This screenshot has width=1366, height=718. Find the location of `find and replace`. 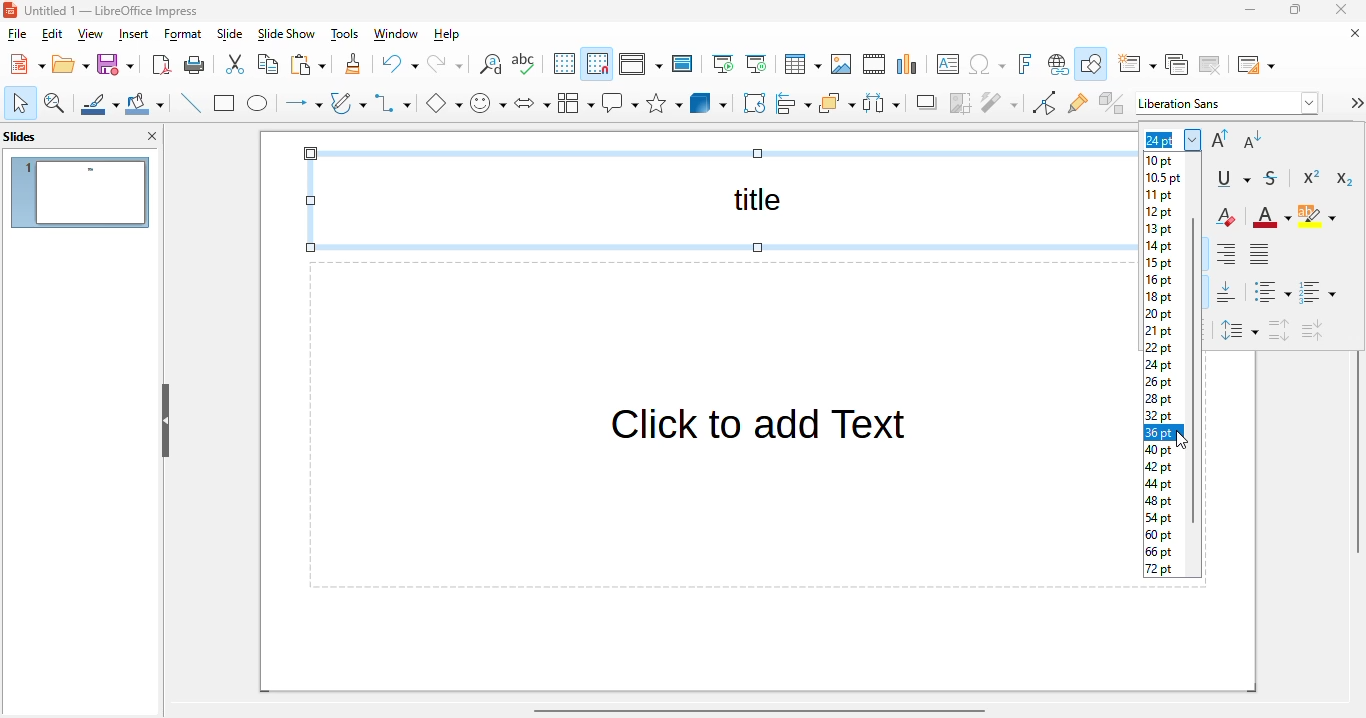

find and replace is located at coordinates (491, 64).